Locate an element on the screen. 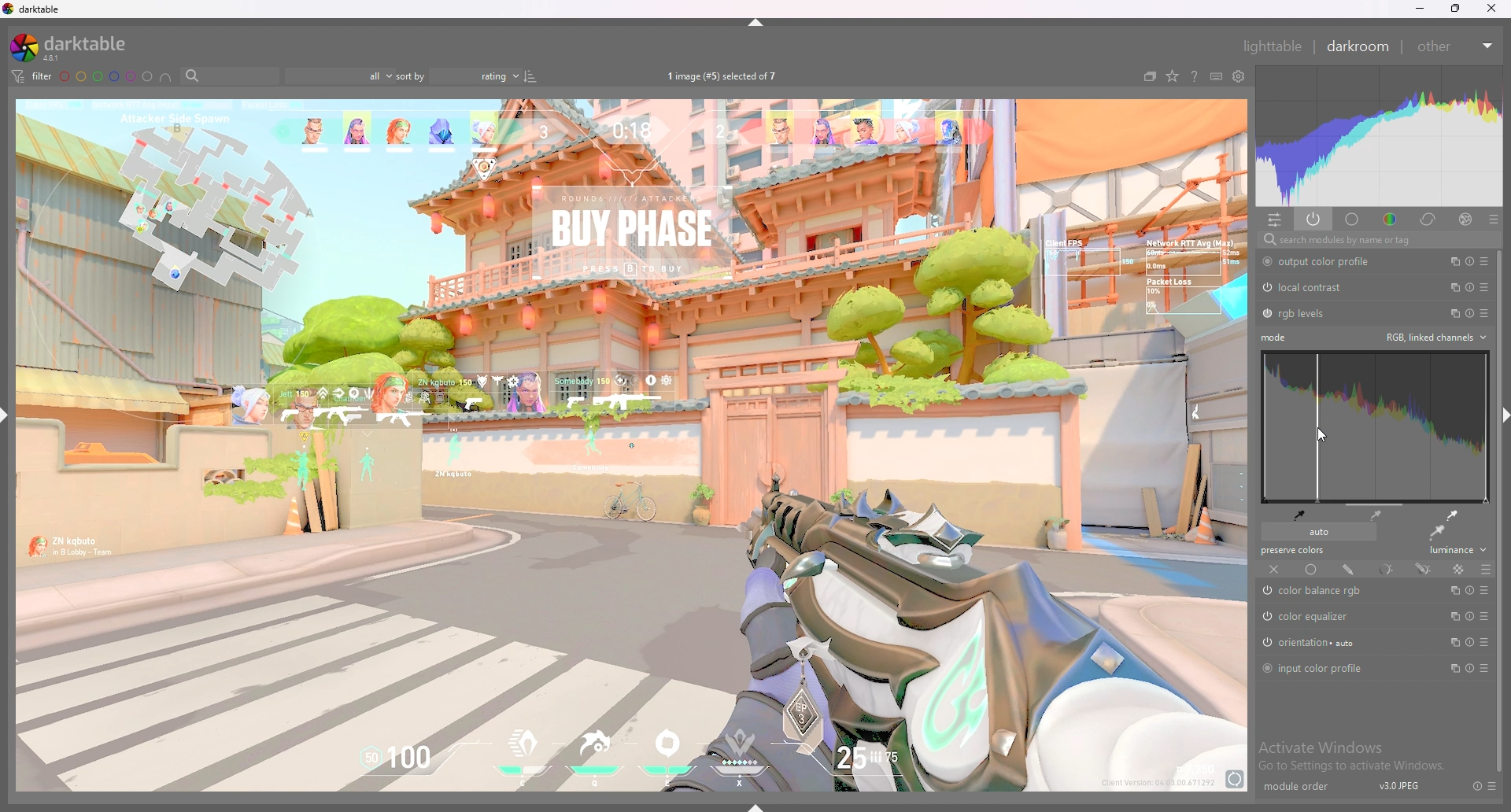 This screenshot has width=1511, height=812. rgb levels is located at coordinates (1304, 314).